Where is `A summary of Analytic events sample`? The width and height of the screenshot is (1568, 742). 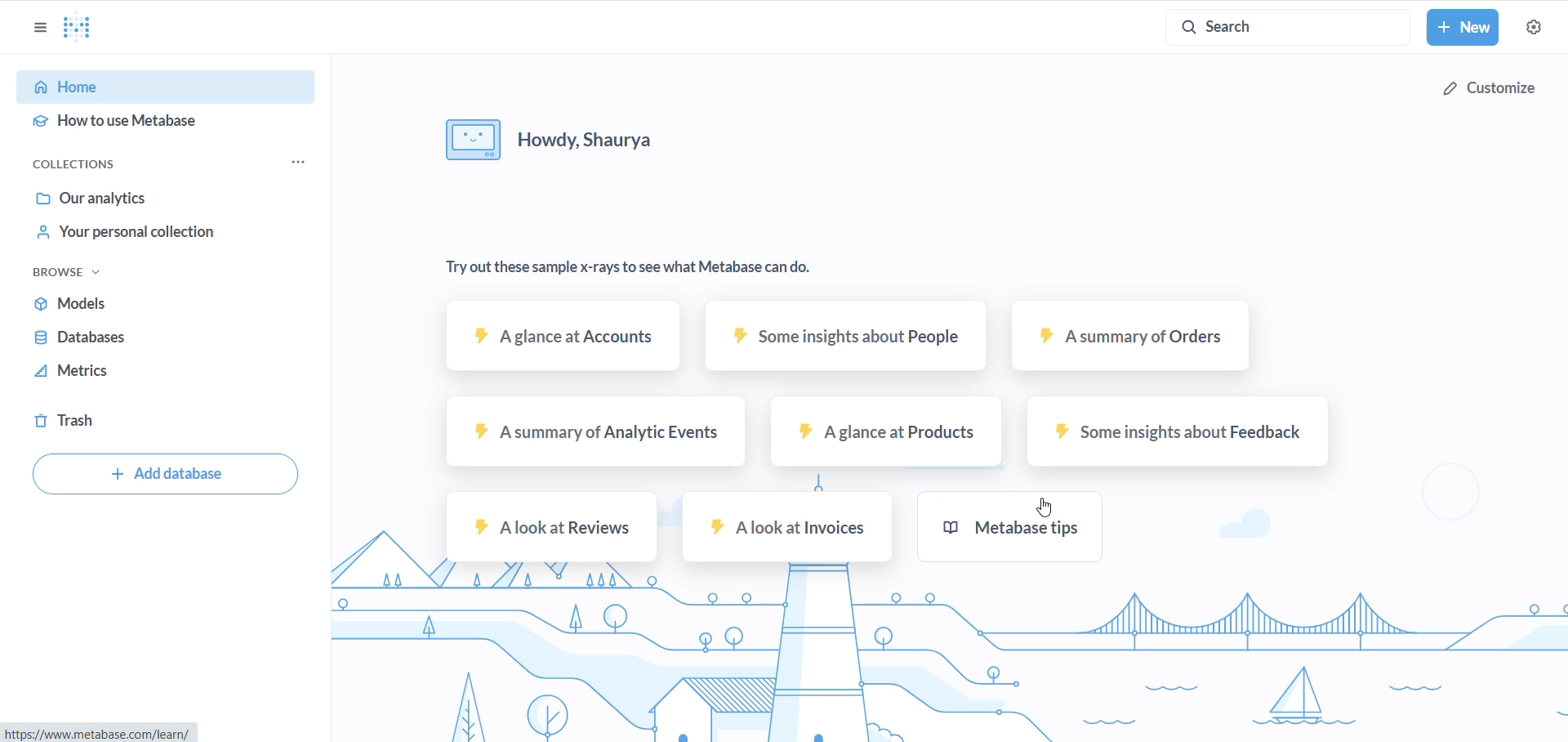
A summary of Analytic events sample is located at coordinates (601, 436).